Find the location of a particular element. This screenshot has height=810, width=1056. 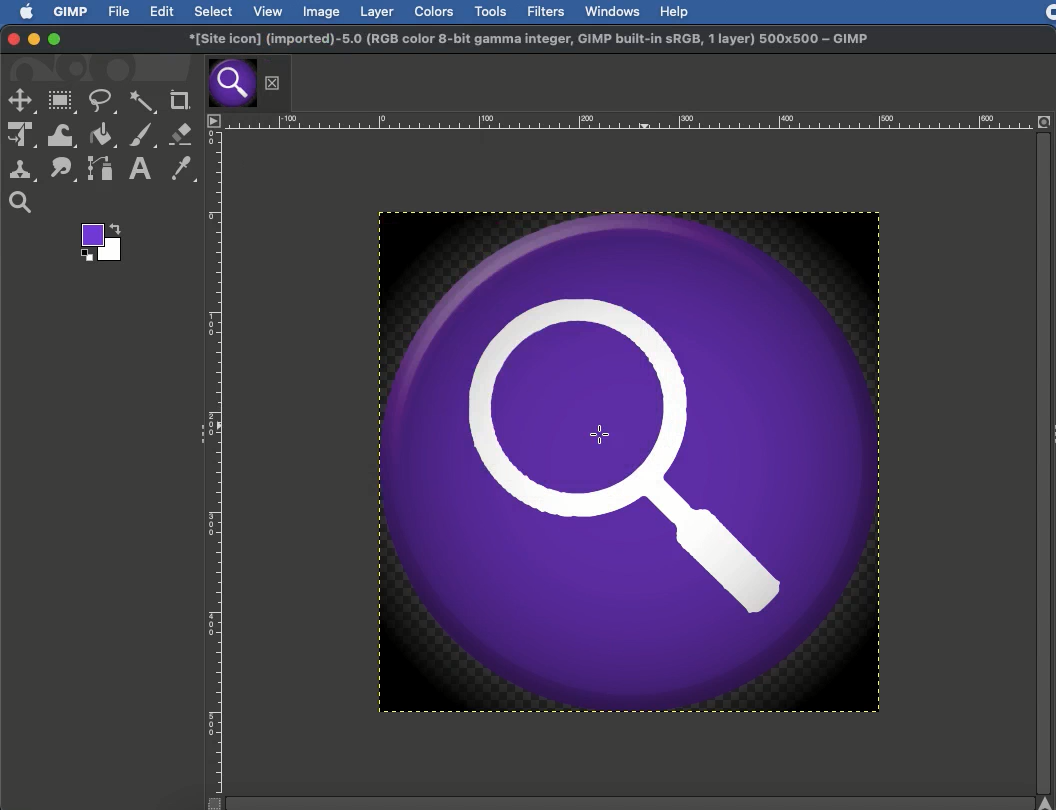

selection is located at coordinates (23, 103).